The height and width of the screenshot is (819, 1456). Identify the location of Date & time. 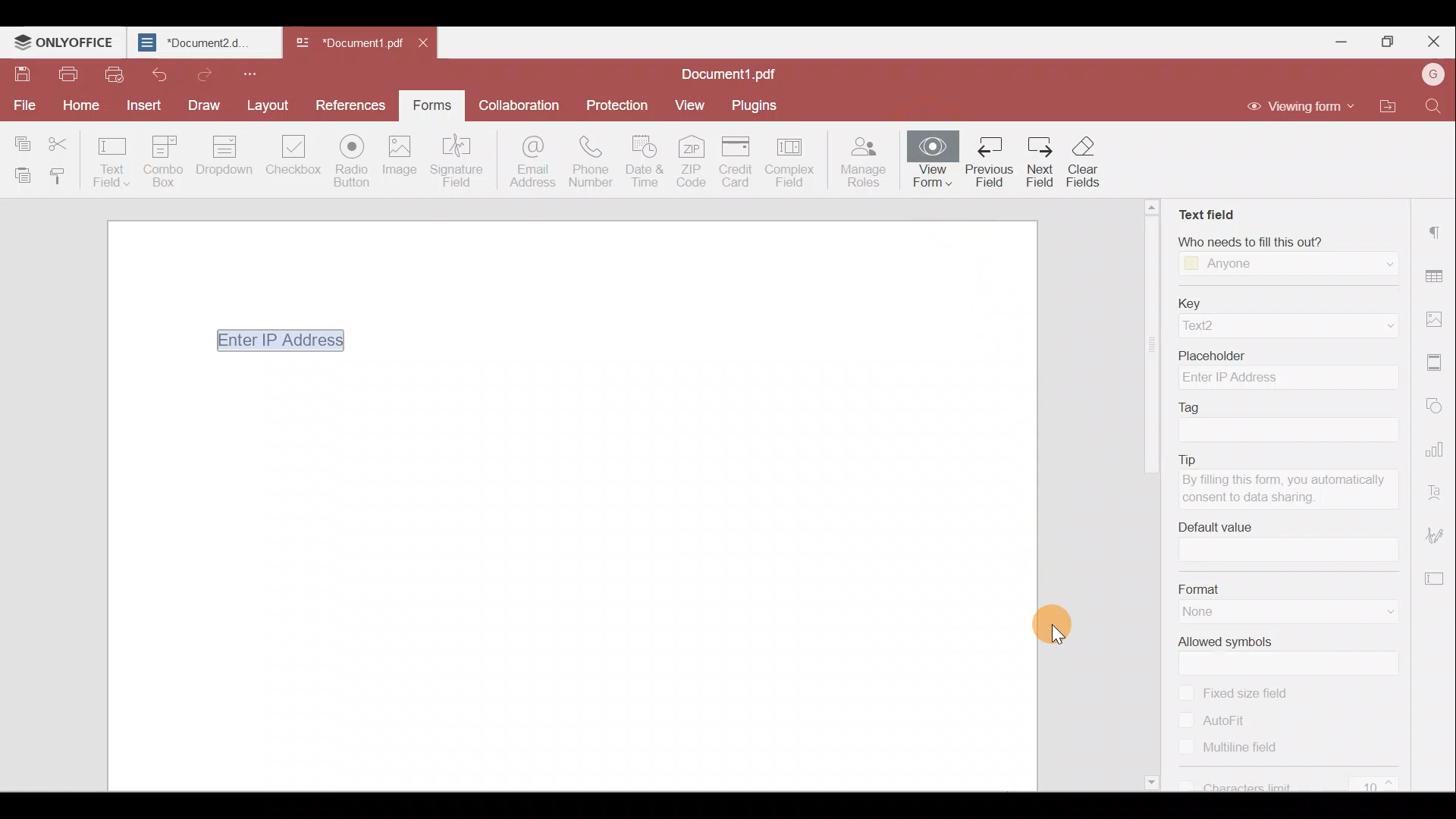
(645, 165).